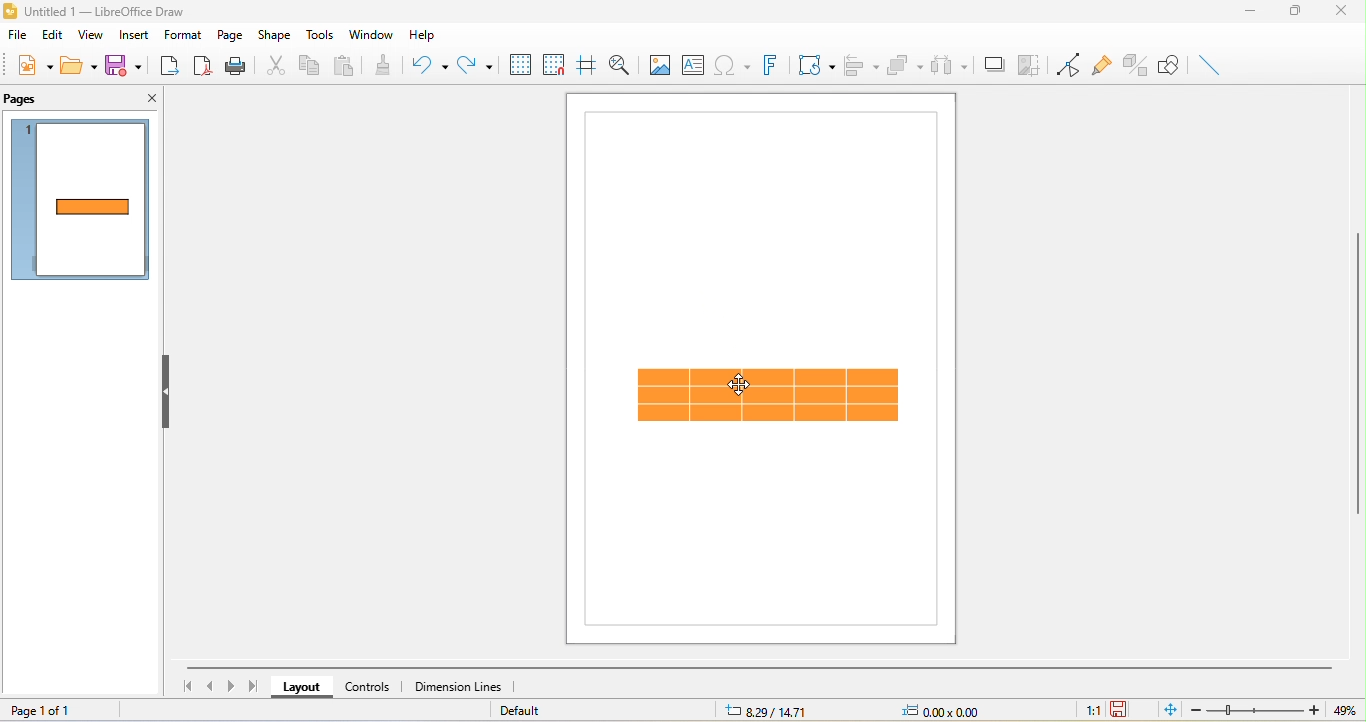 This screenshot has width=1366, height=722. What do you see at coordinates (1343, 711) in the screenshot?
I see `49%` at bounding box center [1343, 711].